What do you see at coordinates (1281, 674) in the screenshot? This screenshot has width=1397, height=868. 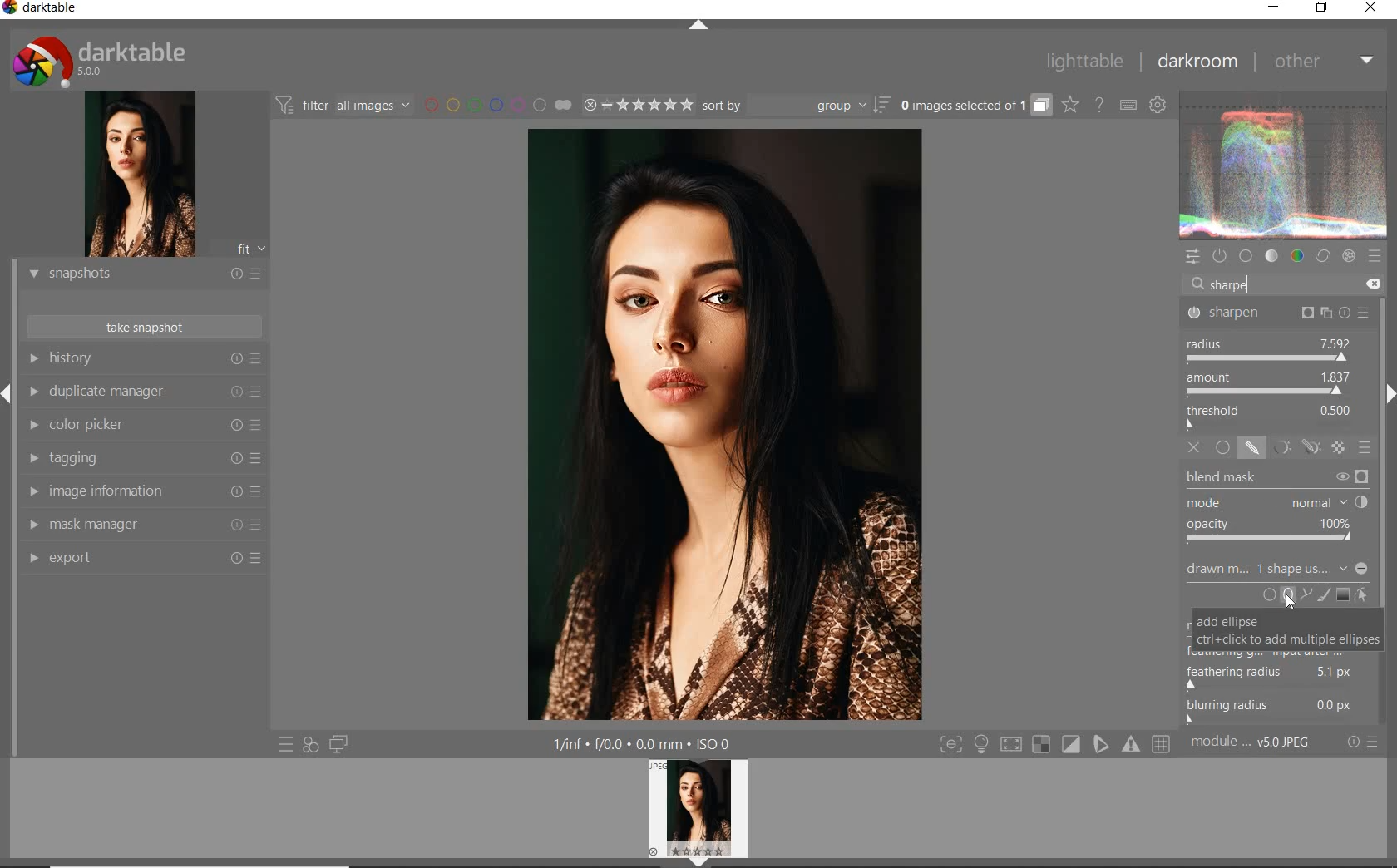 I see `FEATHERING RADIUS` at bounding box center [1281, 674].